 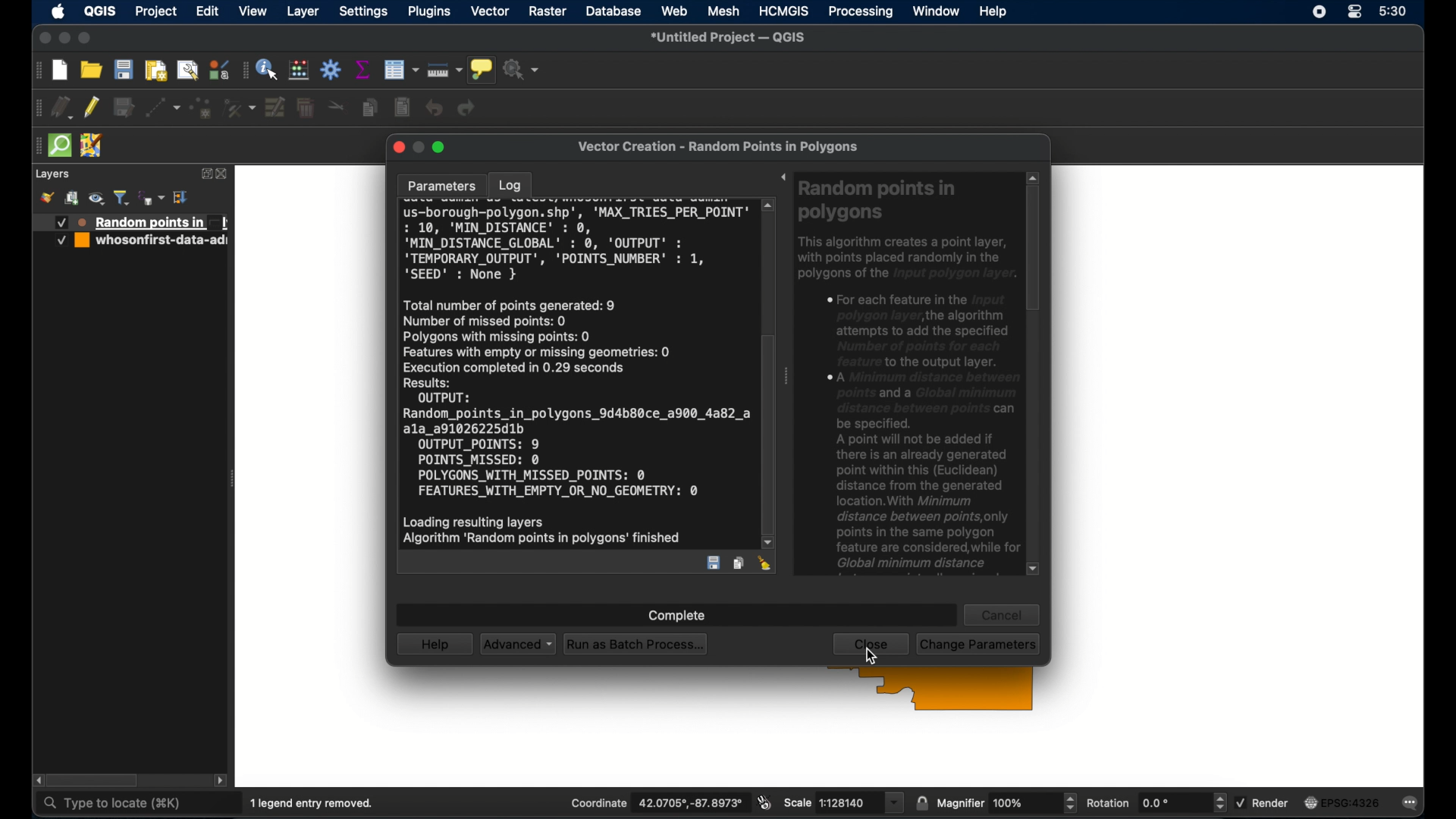 What do you see at coordinates (397, 146) in the screenshot?
I see `close` at bounding box center [397, 146].